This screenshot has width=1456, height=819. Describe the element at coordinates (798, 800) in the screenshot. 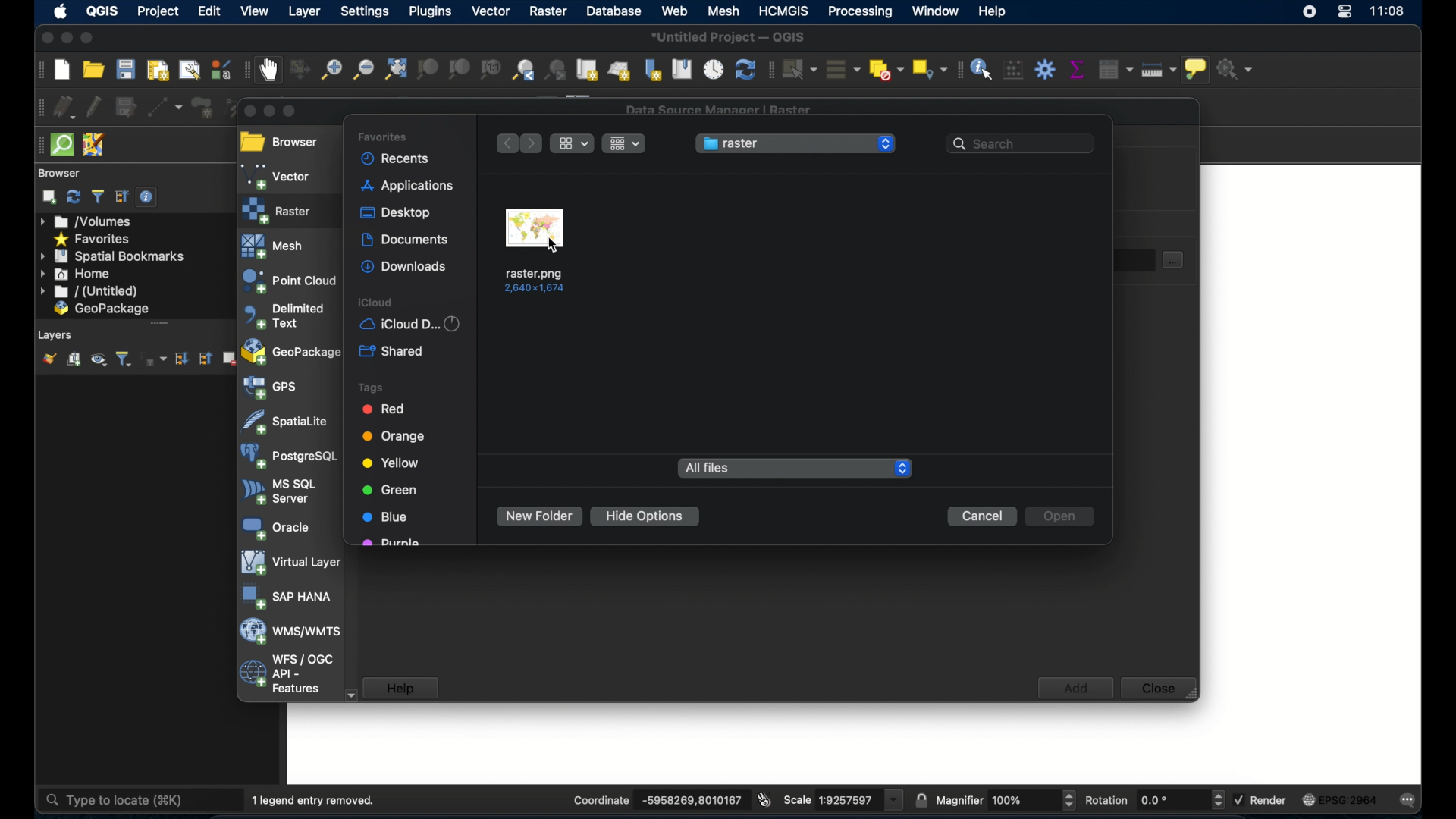

I see `scale` at that location.